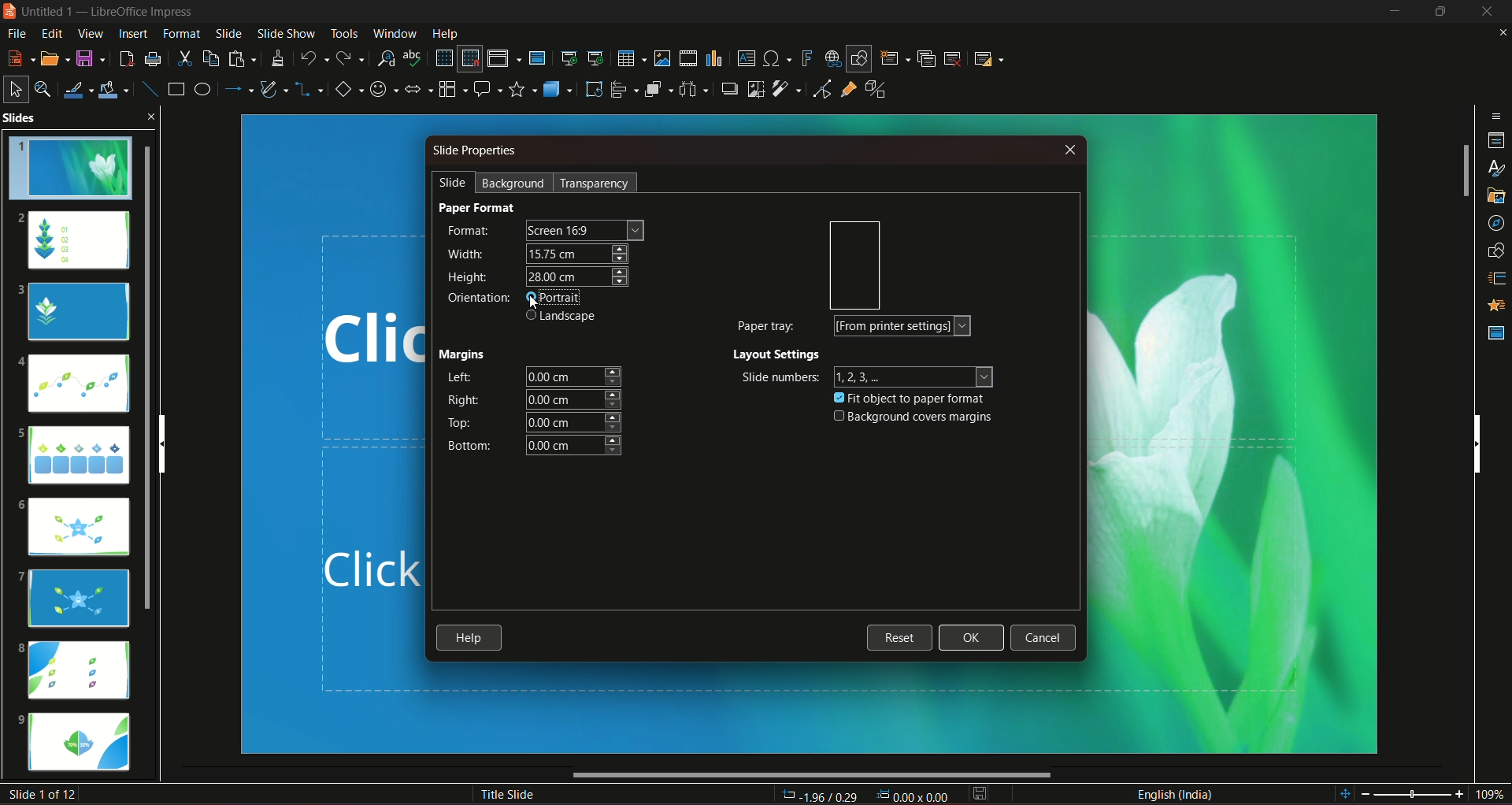  I want to click on crop image, so click(754, 88).